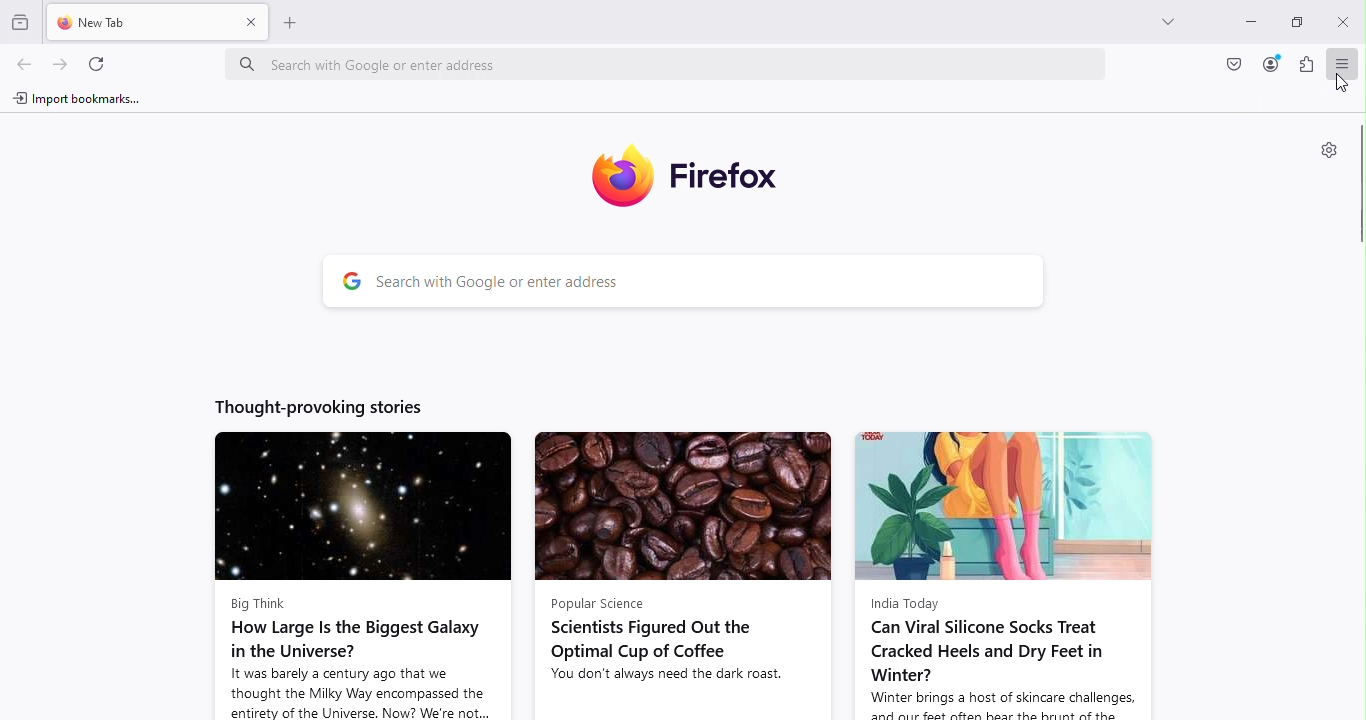 This screenshot has height=720, width=1366. Describe the element at coordinates (1304, 65) in the screenshot. I see `Extensions` at that location.